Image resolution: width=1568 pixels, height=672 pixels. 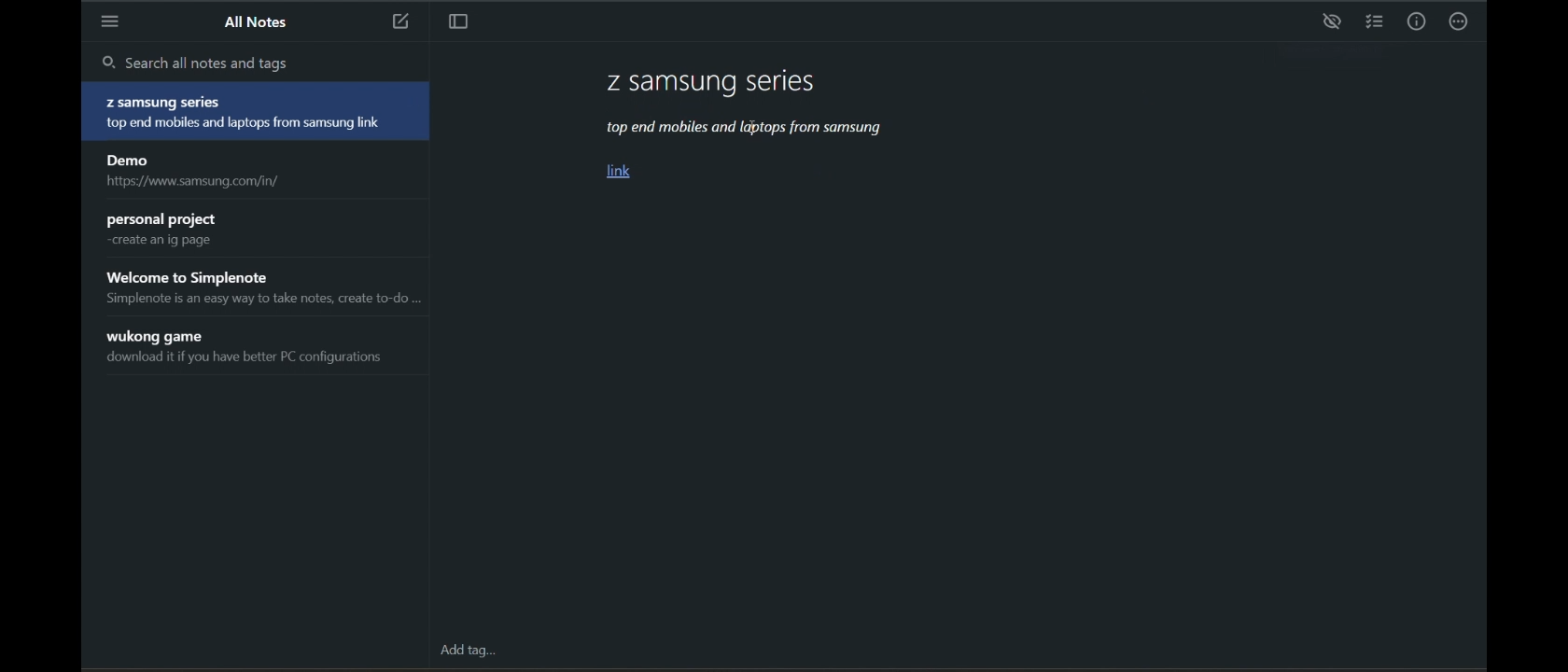 What do you see at coordinates (398, 23) in the screenshot?
I see `new note` at bounding box center [398, 23].